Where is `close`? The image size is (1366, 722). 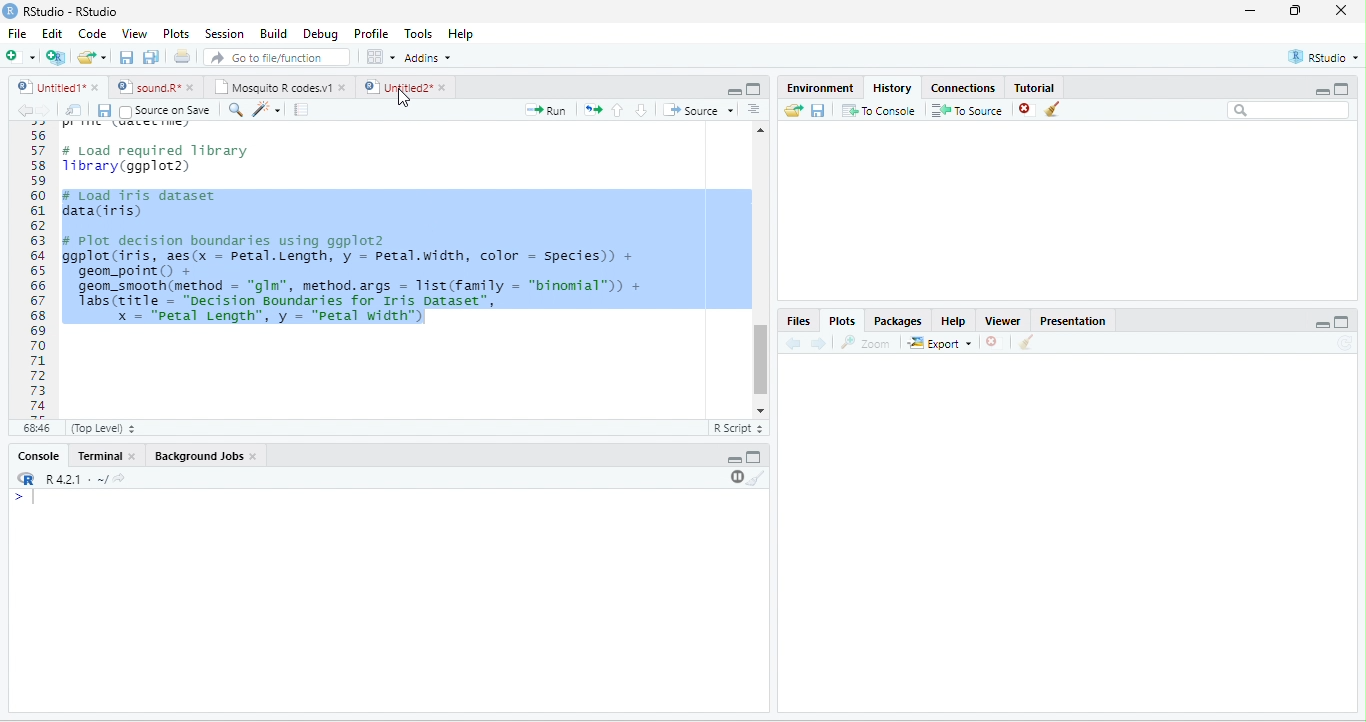 close is located at coordinates (1341, 10).